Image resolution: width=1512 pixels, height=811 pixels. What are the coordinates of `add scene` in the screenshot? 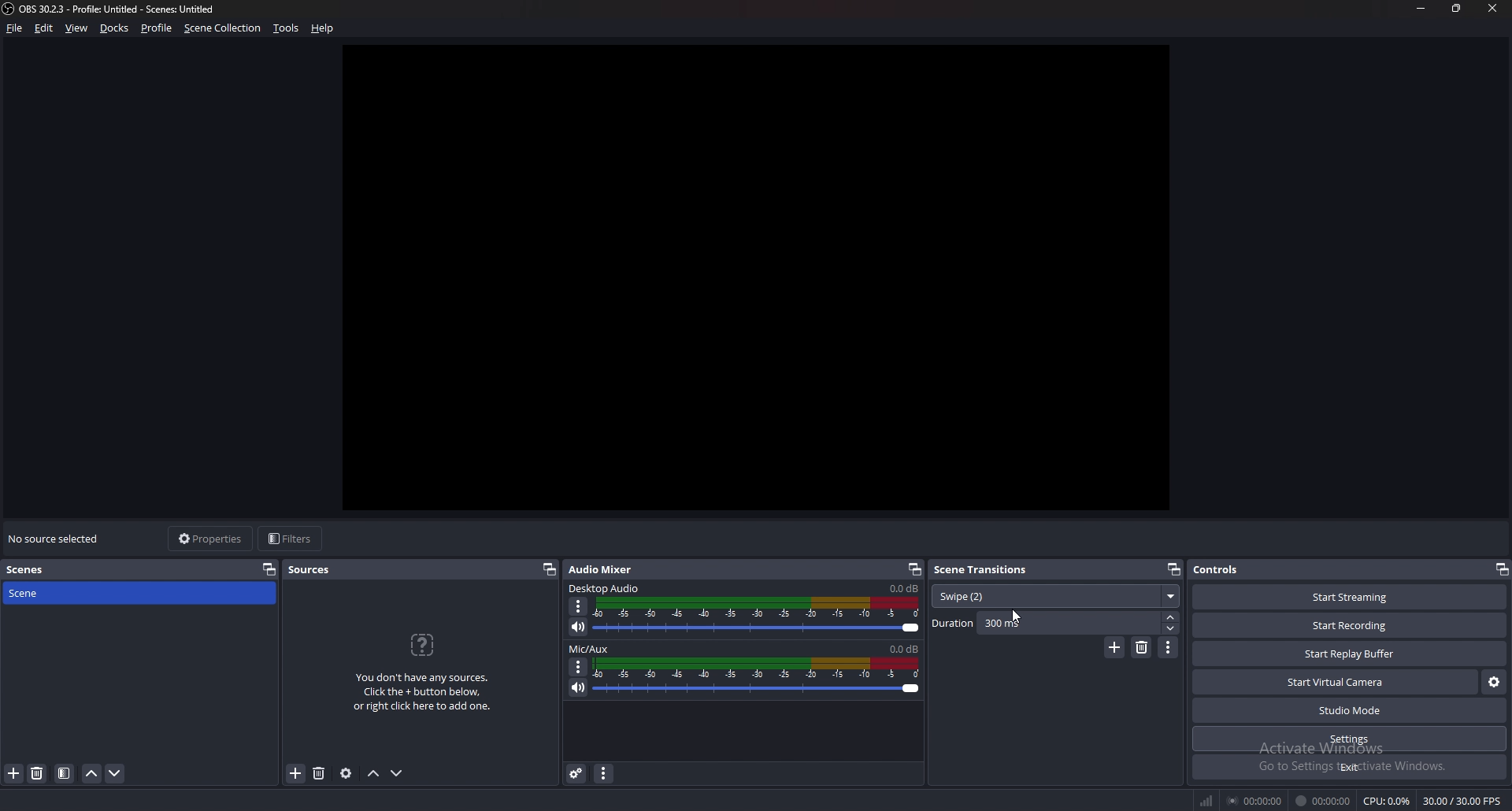 It's located at (14, 772).